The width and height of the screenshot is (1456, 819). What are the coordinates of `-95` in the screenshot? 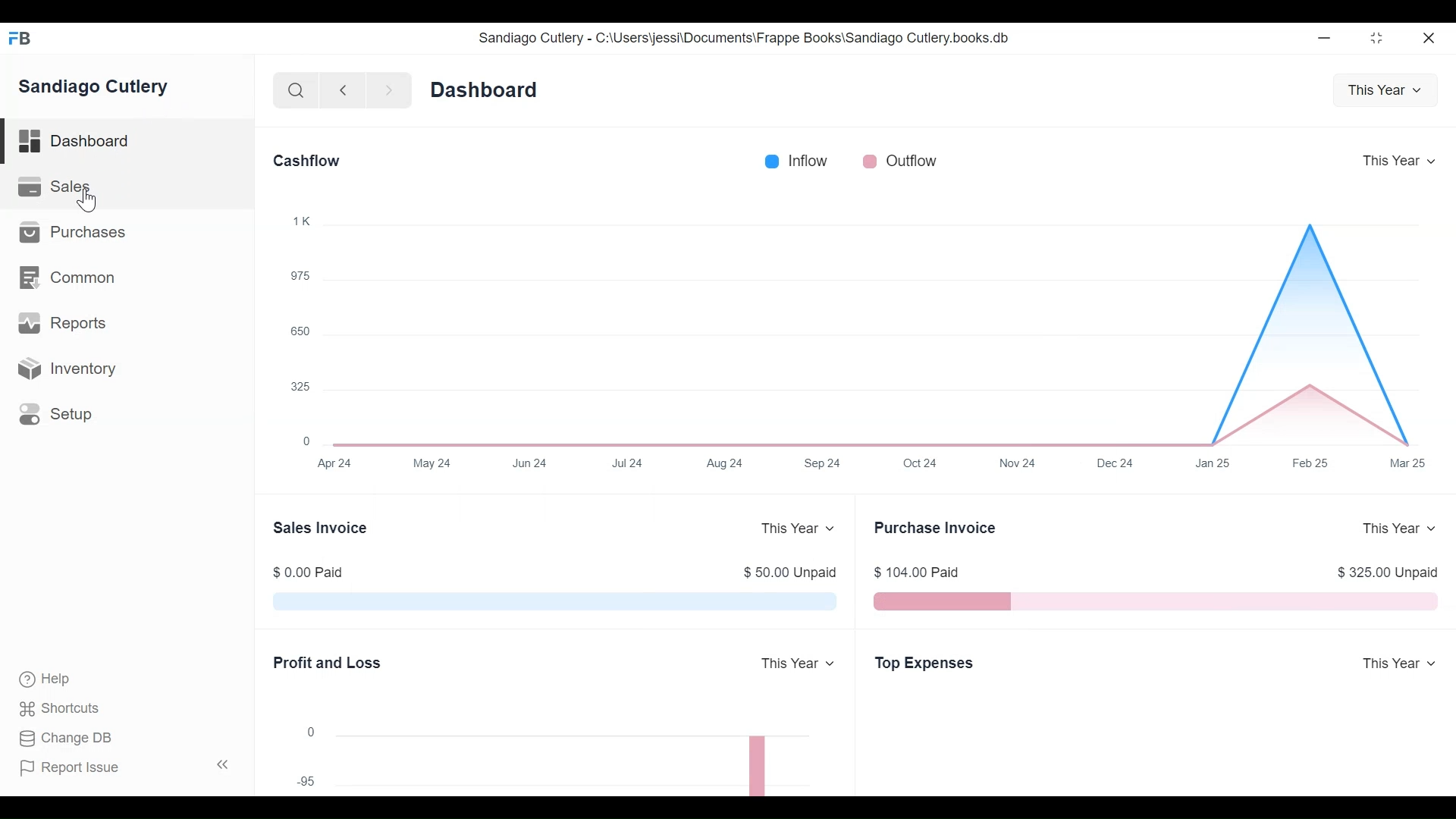 It's located at (303, 780).